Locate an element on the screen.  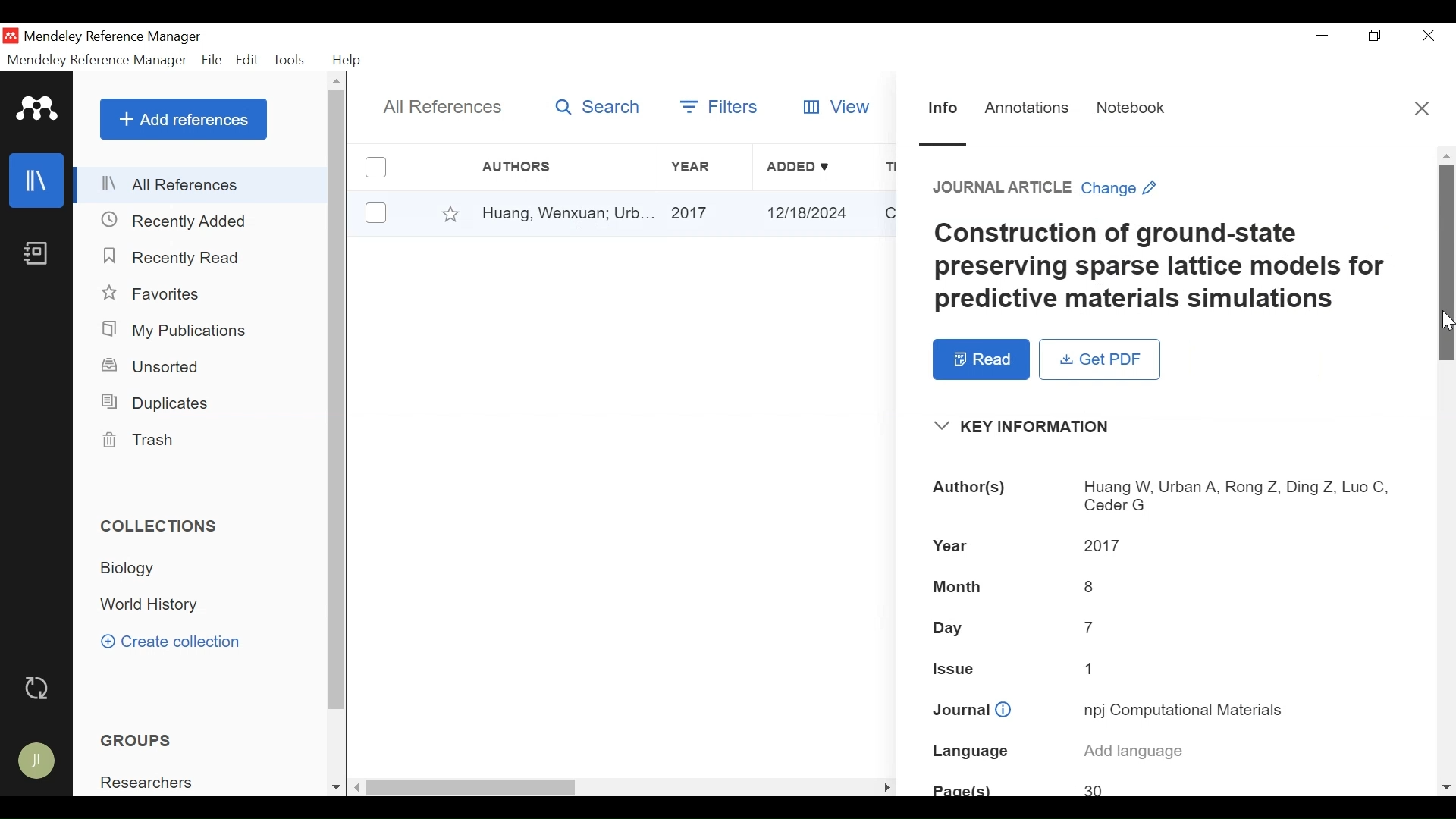
Avatar is located at coordinates (36, 761).